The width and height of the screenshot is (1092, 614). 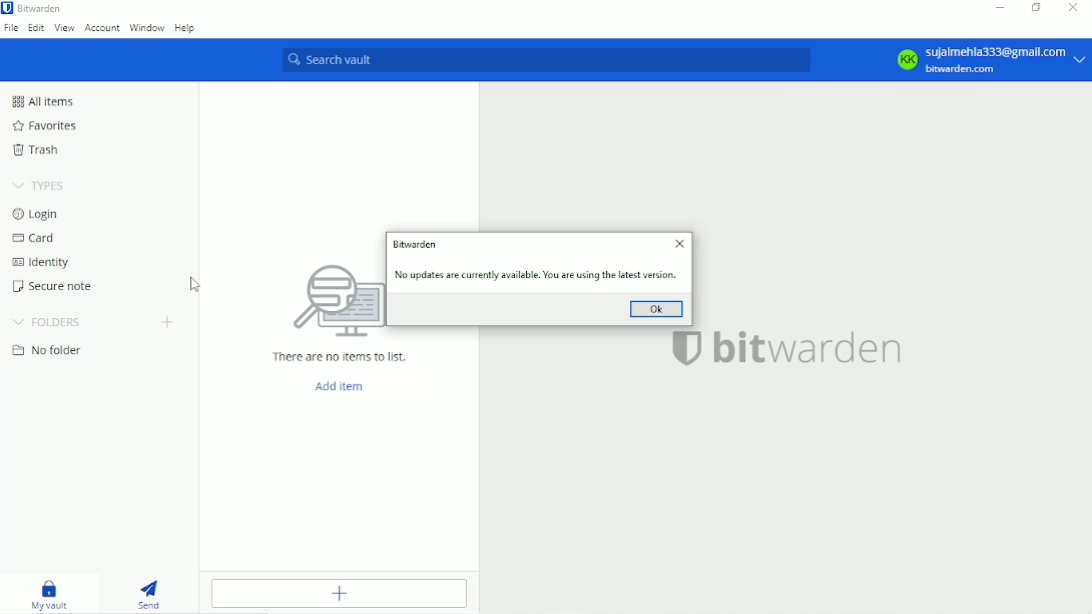 What do you see at coordinates (332, 303) in the screenshot?
I see `logo` at bounding box center [332, 303].